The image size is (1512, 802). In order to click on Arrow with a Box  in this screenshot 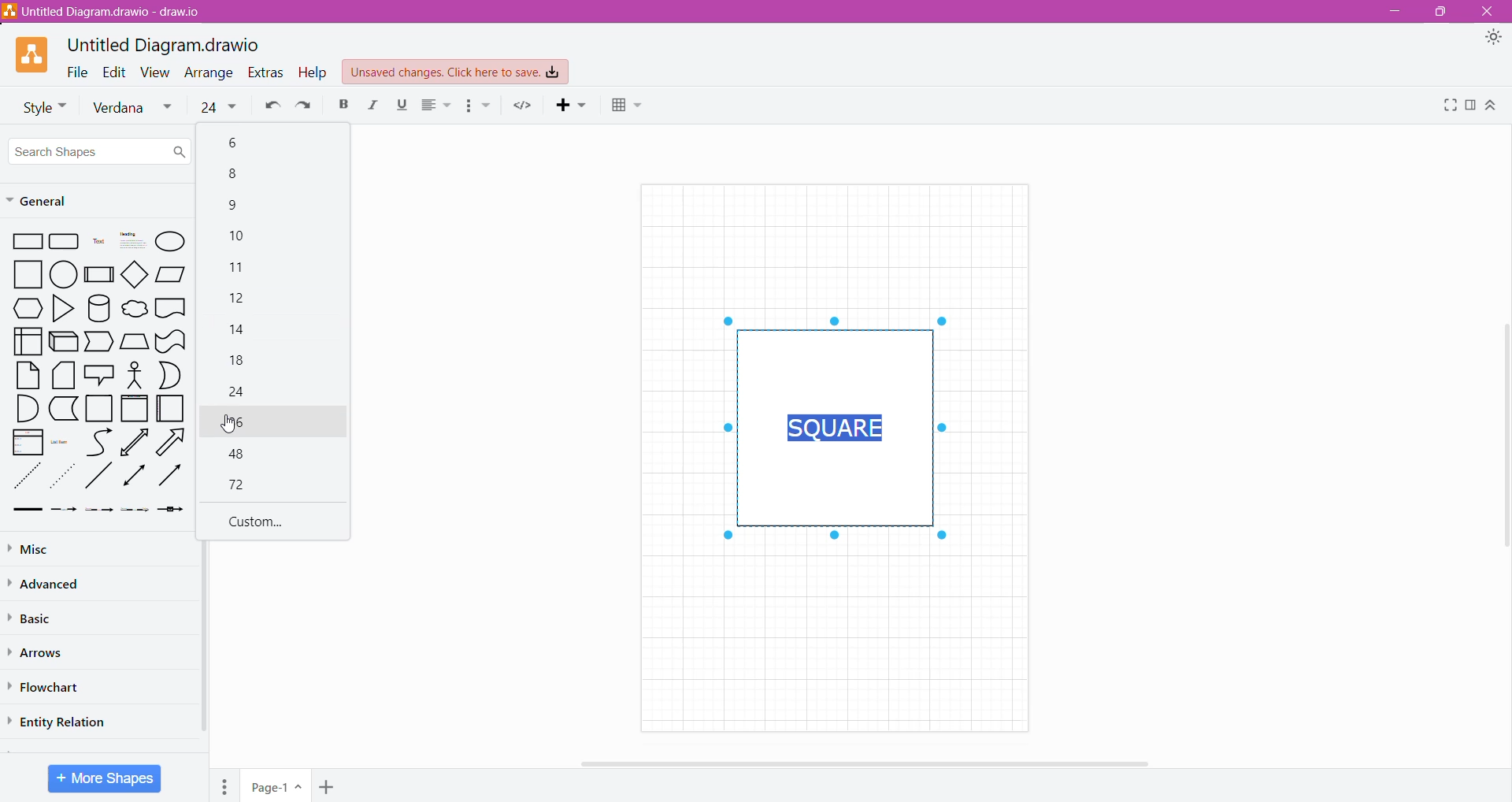, I will do `click(173, 512)`.